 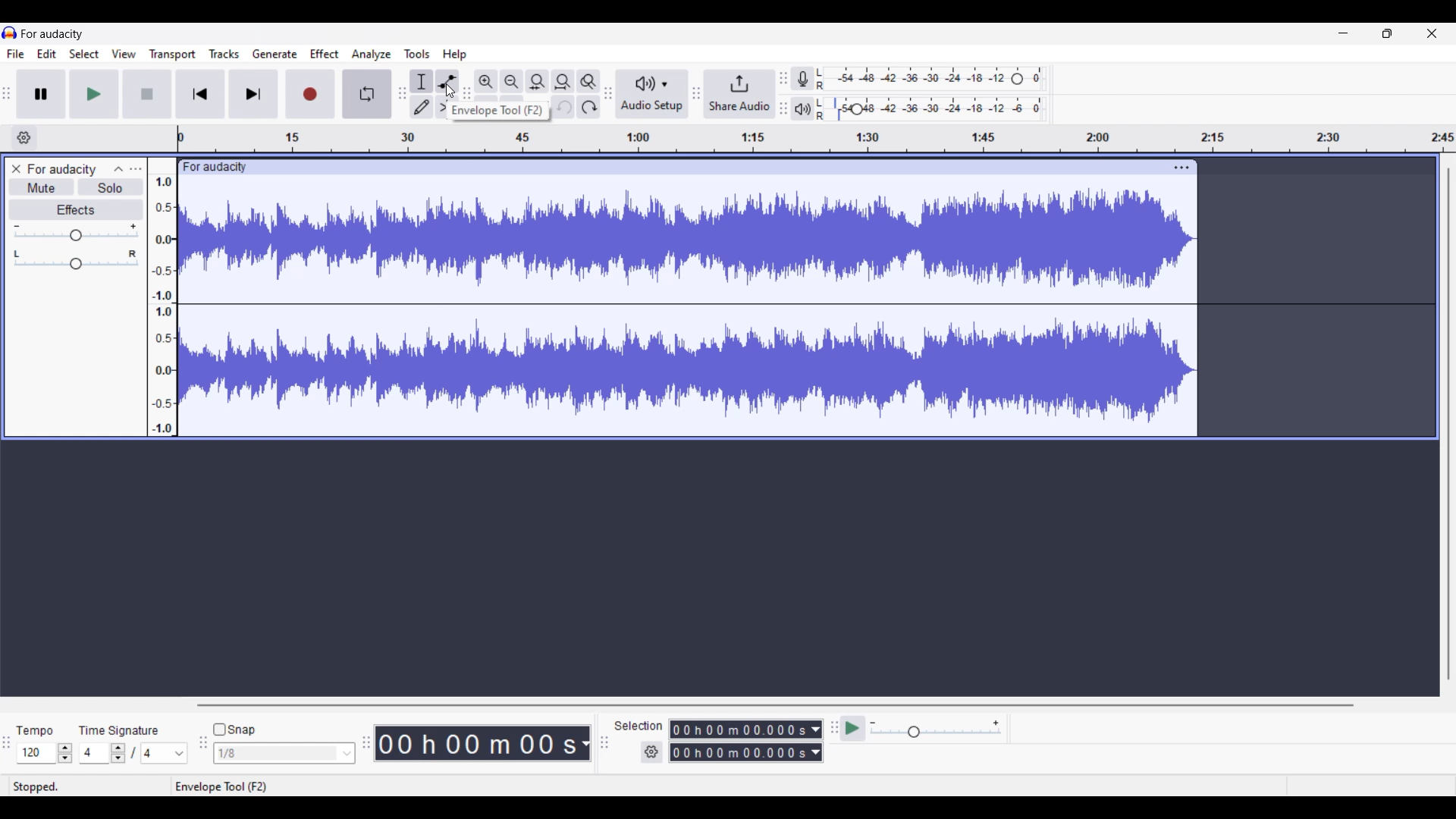 I want to click on Time signature settings, so click(x=134, y=754).